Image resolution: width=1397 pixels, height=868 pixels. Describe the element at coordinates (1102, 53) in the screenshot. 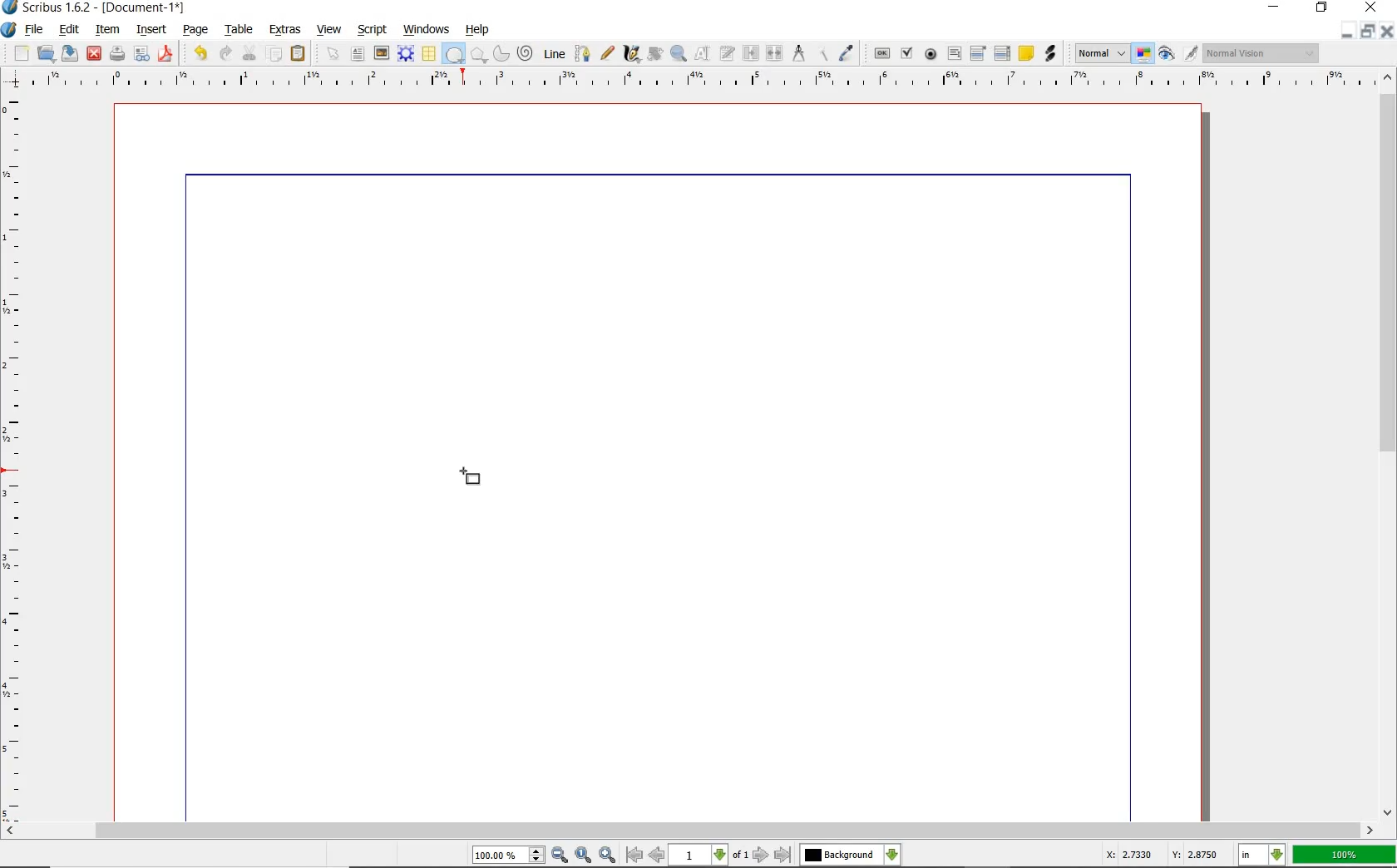

I see `SELECT THE IMAGE PREVIEW QUALITY` at that location.